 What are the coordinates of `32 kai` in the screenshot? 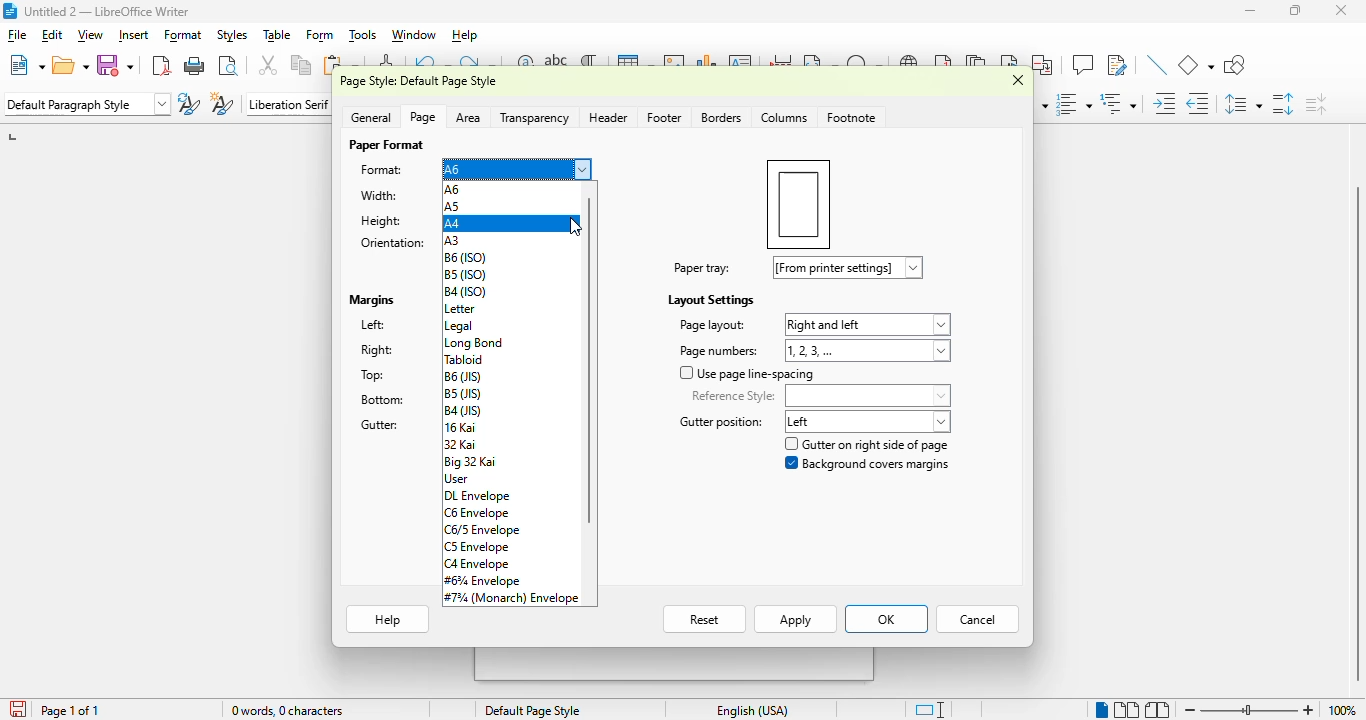 It's located at (461, 444).